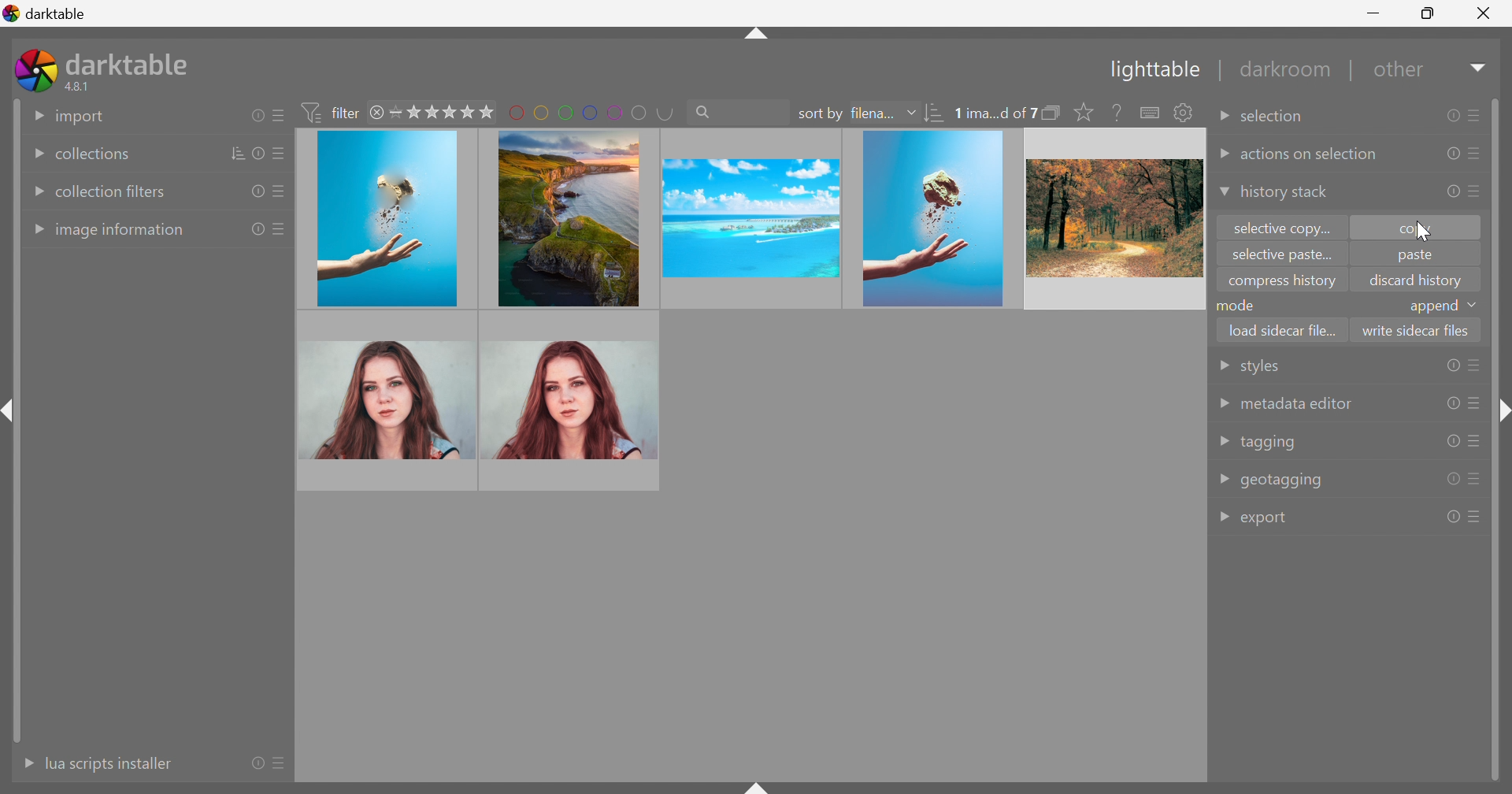 The width and height of the screenshot is (1512, 794). Describe the element at coordinates (1258, 369) in the screenshot. I see `styles` at that location.